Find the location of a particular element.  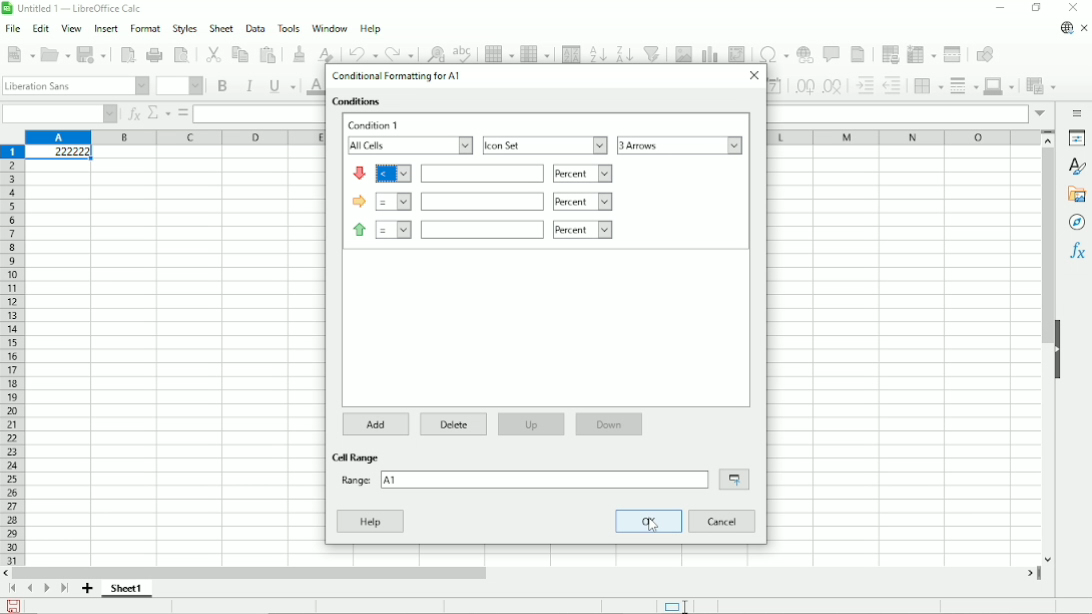

Scroll to next page is located at coordinates (47, 589).